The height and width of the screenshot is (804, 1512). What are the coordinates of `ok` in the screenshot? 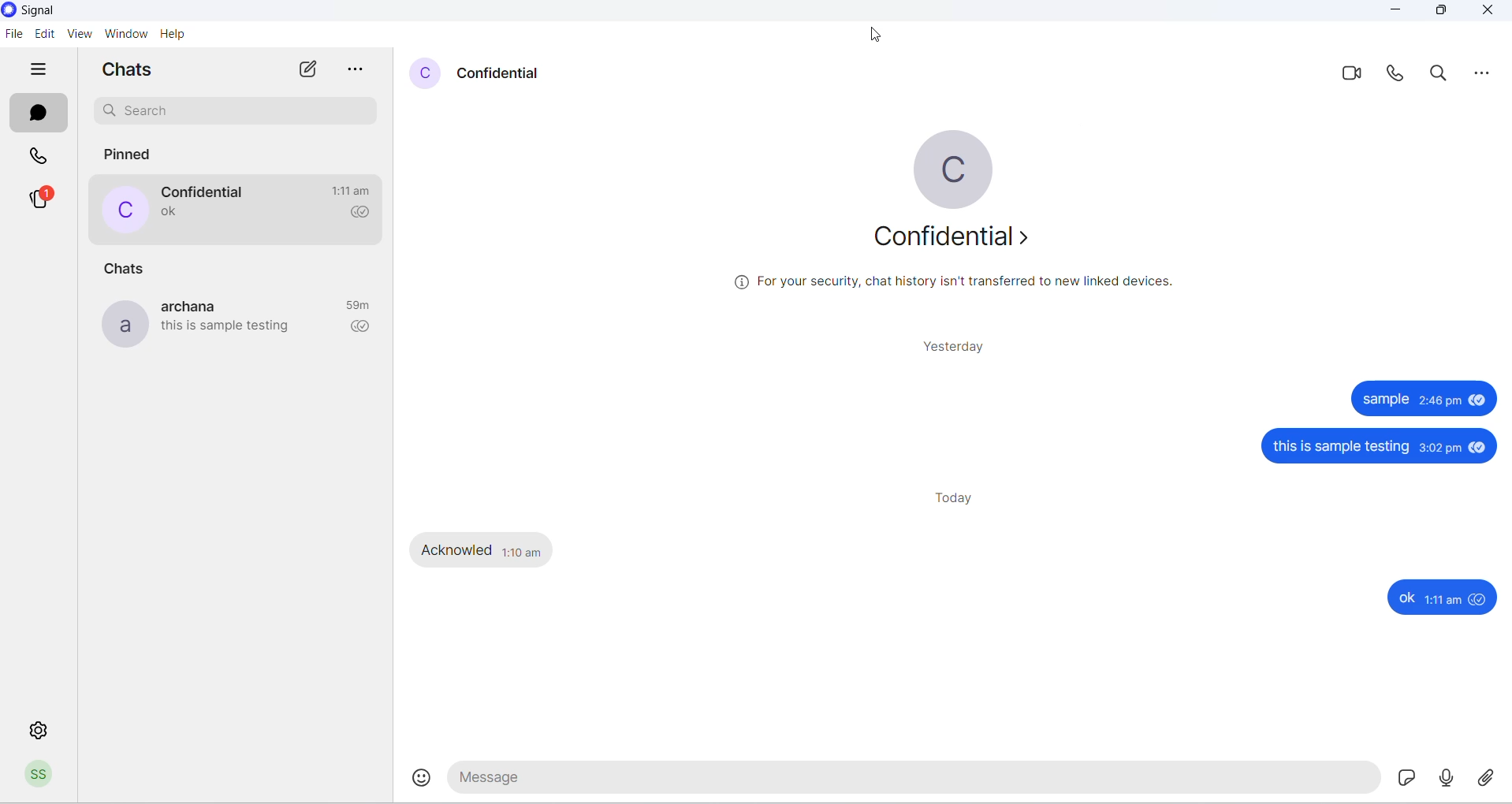 It's located at (1406, 597).